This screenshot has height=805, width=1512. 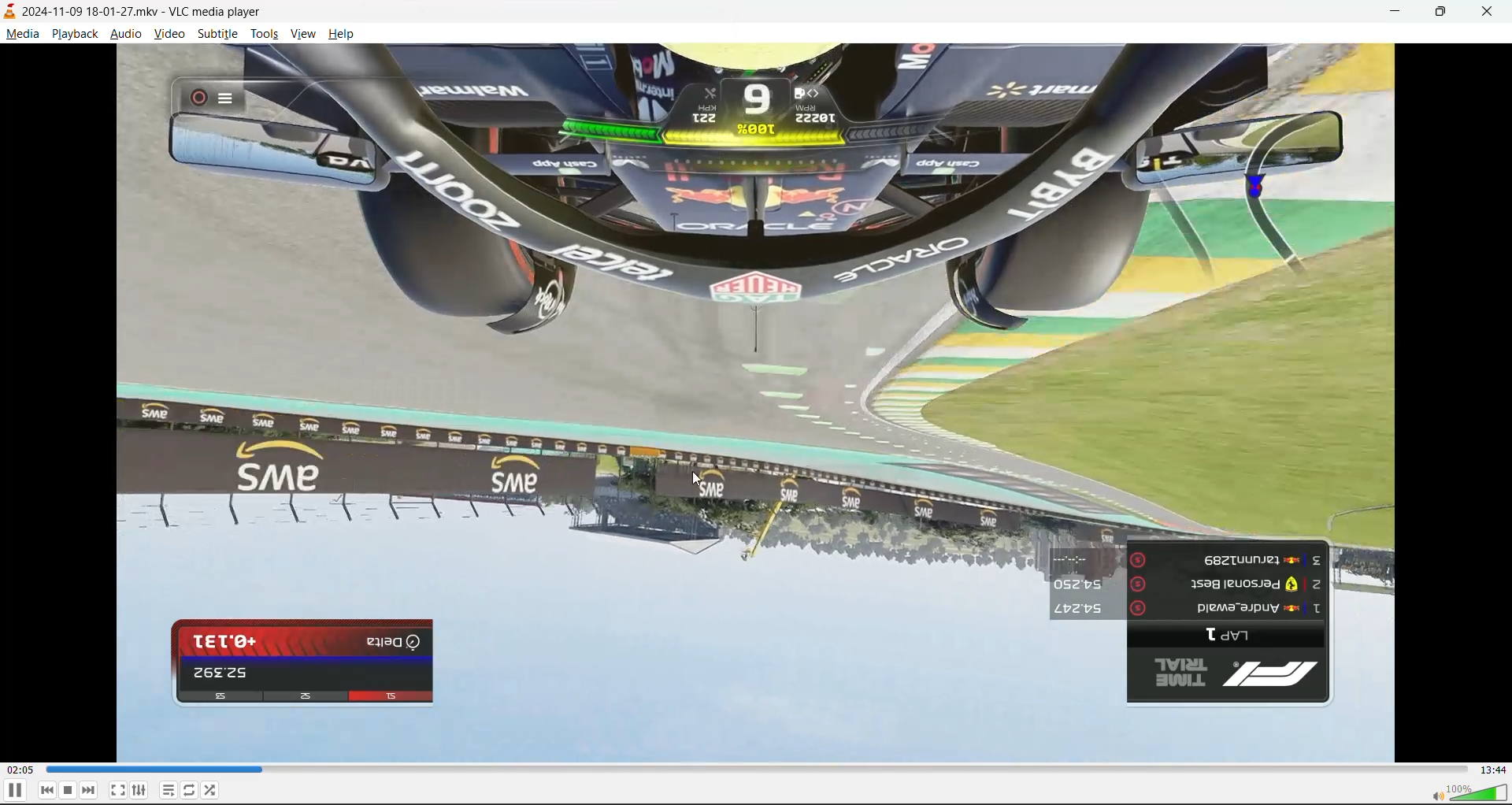 What do you see at coordinates (140, 791) in the screenshot?
I see `settings` at bounding box center [140, 791].